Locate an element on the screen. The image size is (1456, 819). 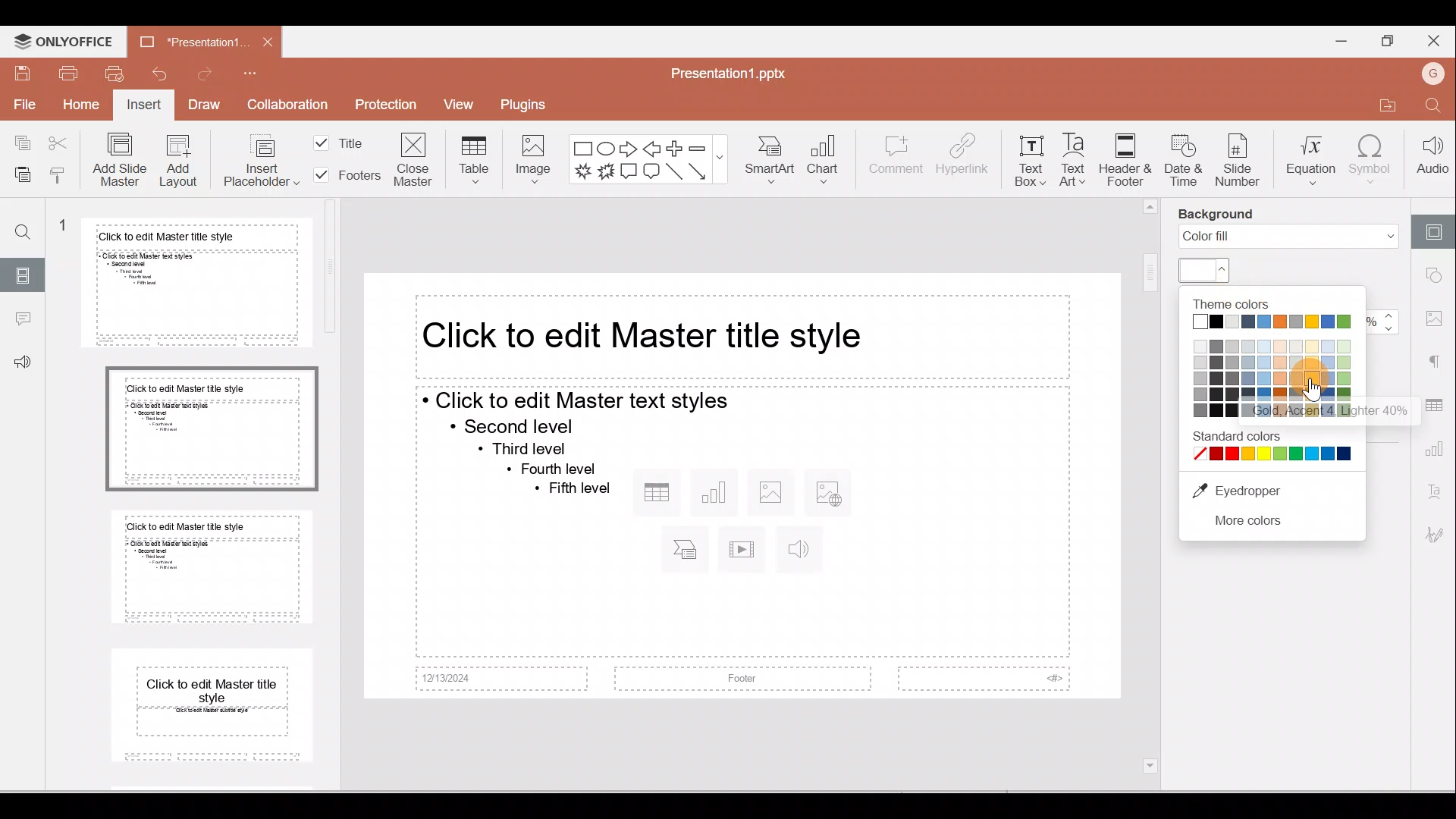
Cursor is located at coordinates (1313, 391).